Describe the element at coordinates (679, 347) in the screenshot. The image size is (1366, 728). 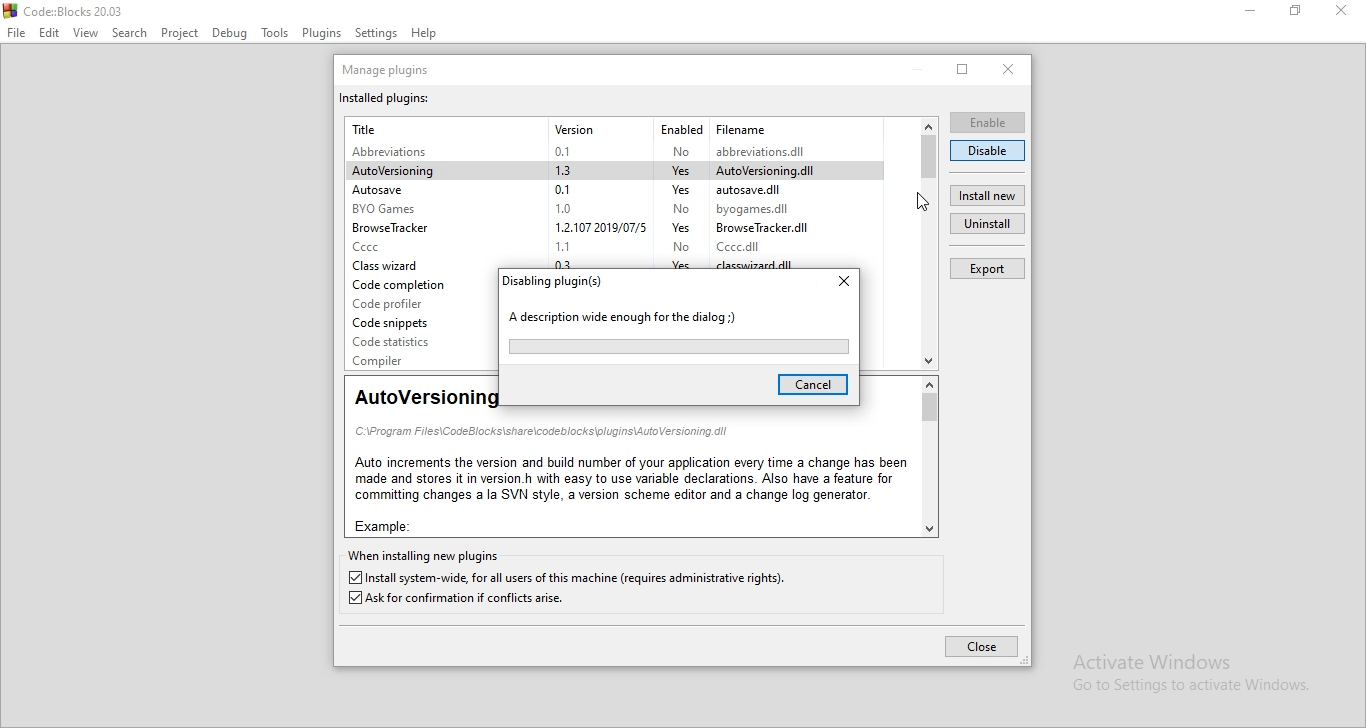
I see `progress bar` at that location.